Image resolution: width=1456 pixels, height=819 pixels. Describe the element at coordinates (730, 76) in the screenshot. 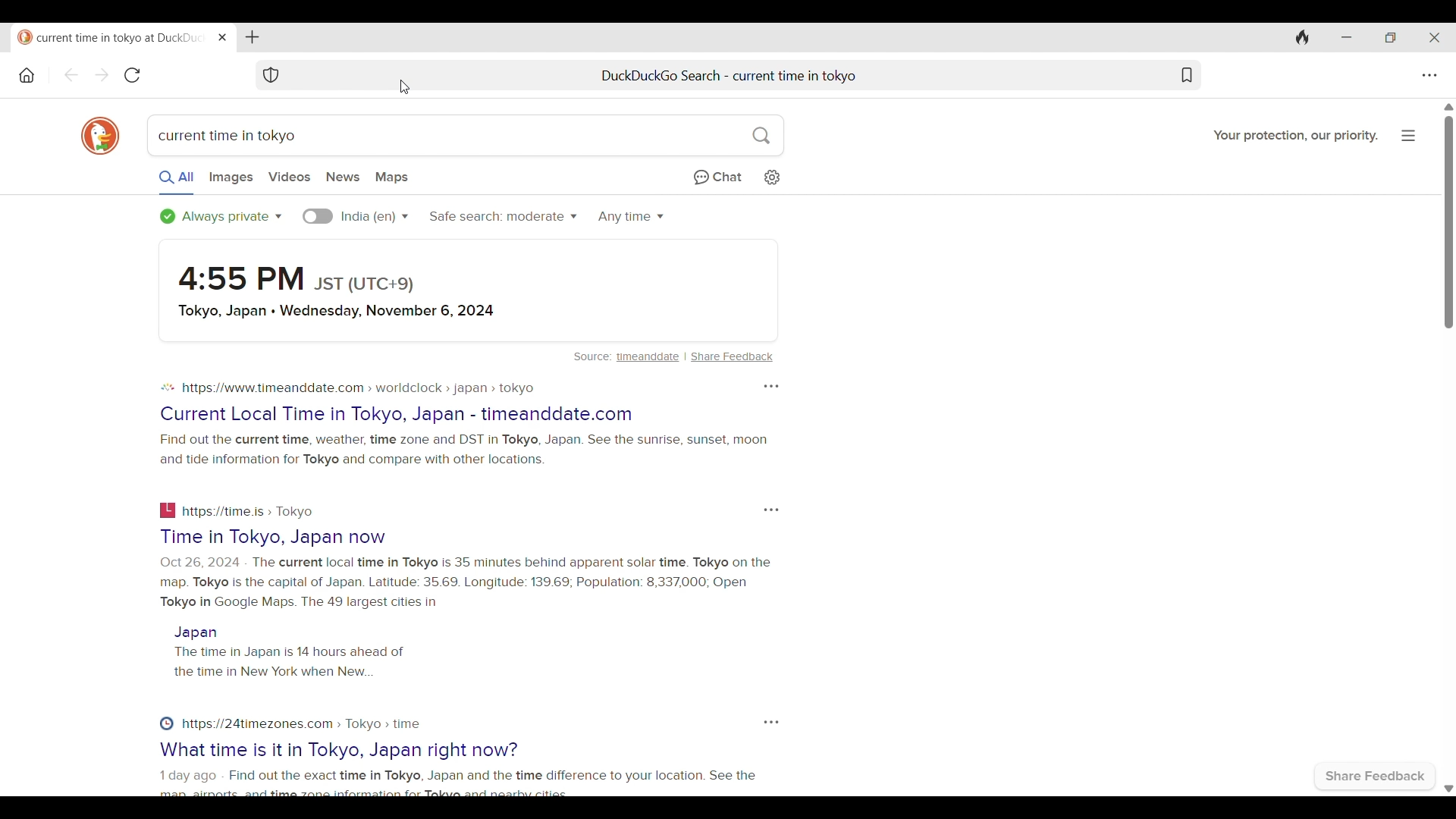

I see `DuckDuckGo Search - current time in tokyo` at that location.